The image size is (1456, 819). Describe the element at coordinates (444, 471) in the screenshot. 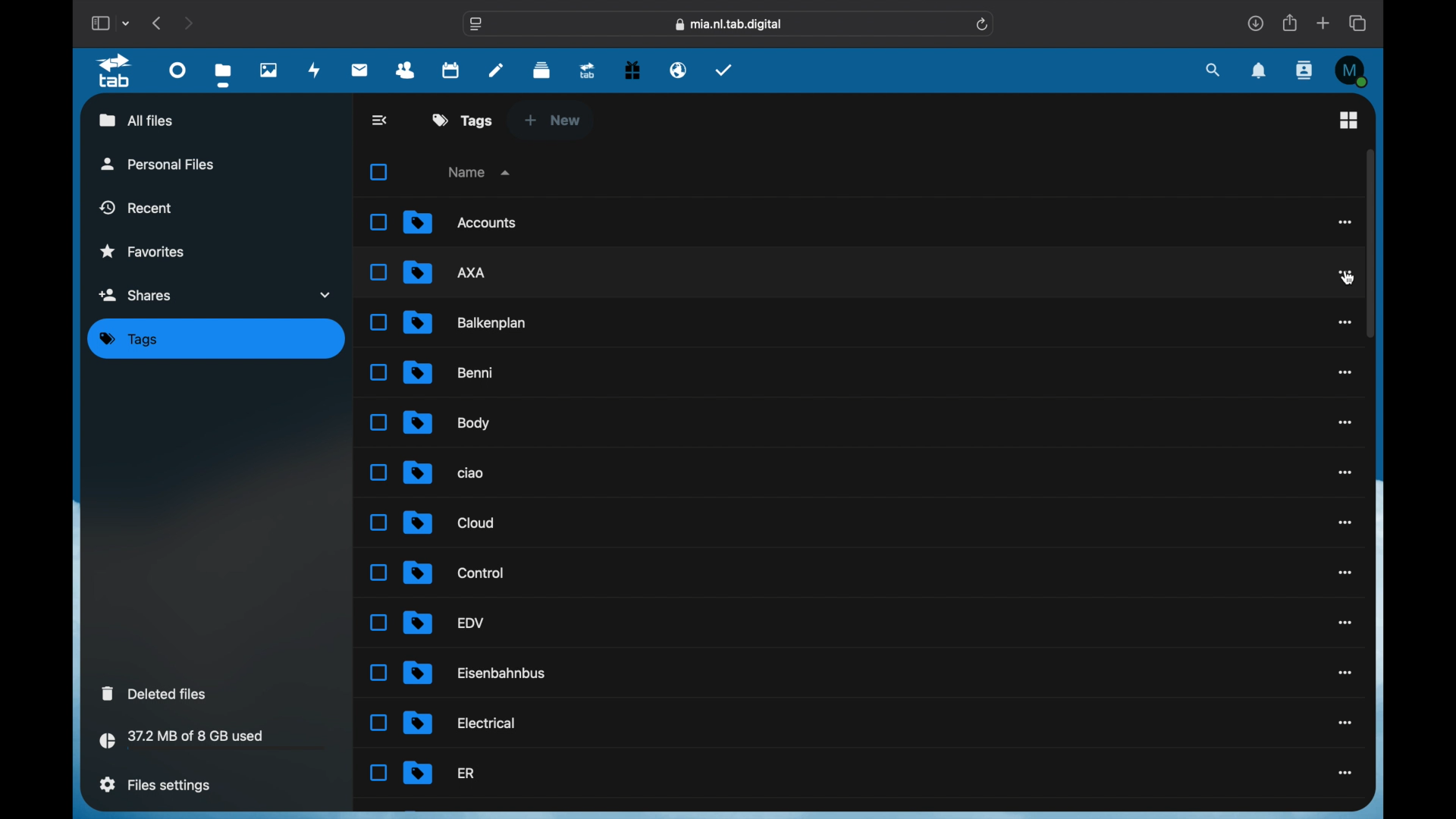

I see `file` at that location.